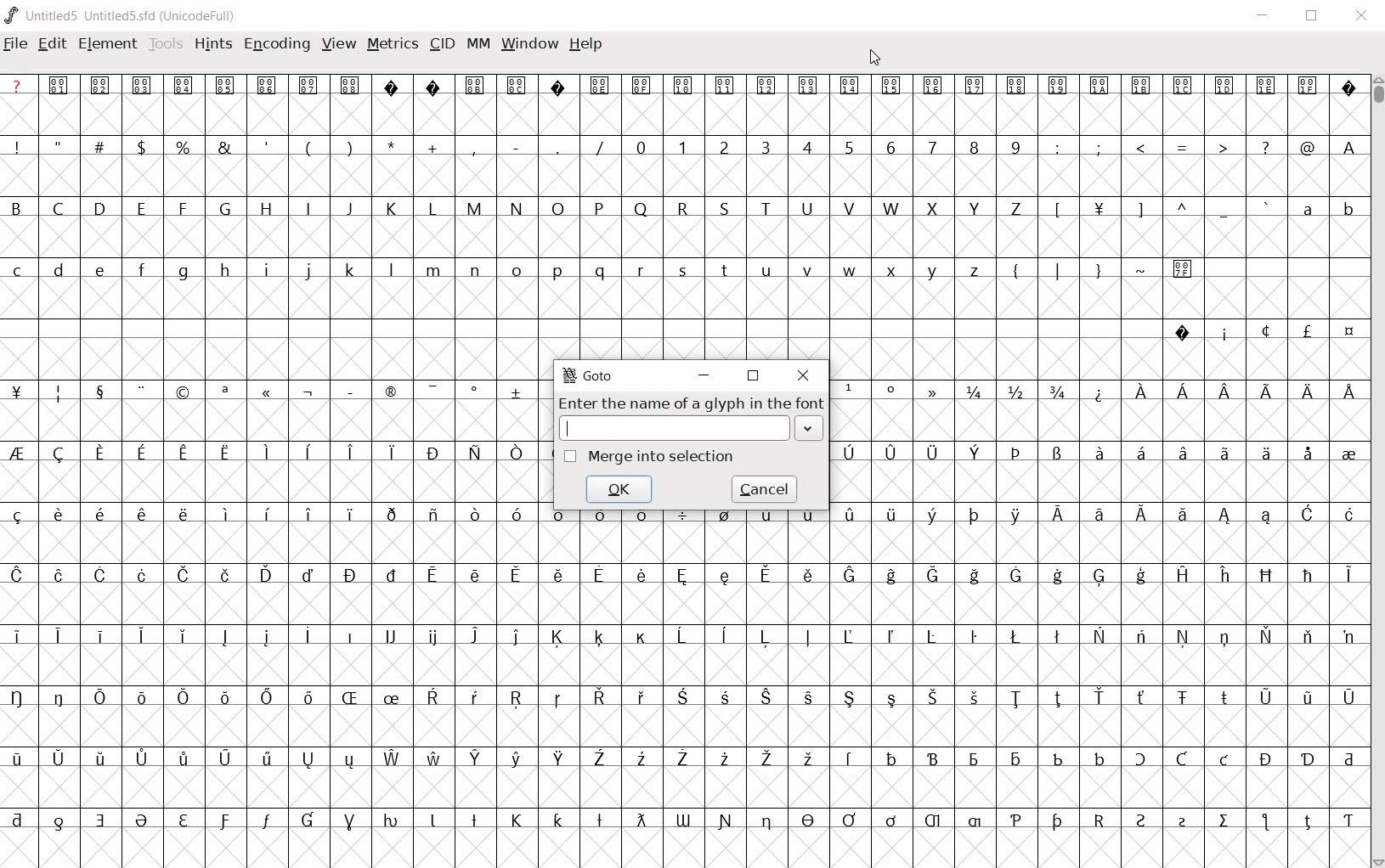 This screenshot has height=868, width=1385. Describe the element at coordinates (517, 699) in the screenshot. I see `Symbol` at that location.